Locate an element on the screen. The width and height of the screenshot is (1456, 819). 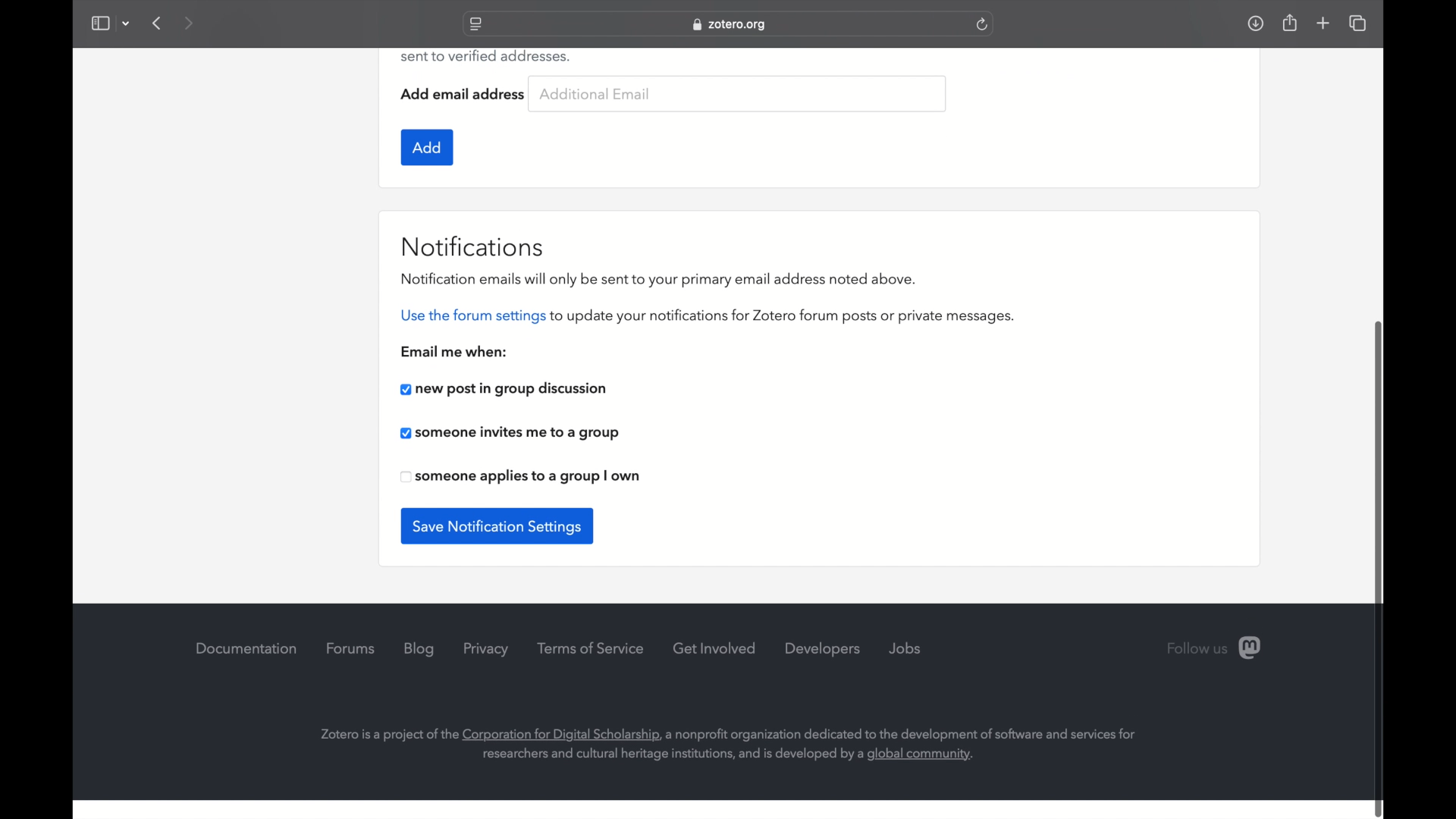
add is located at coordinates (427, 148).